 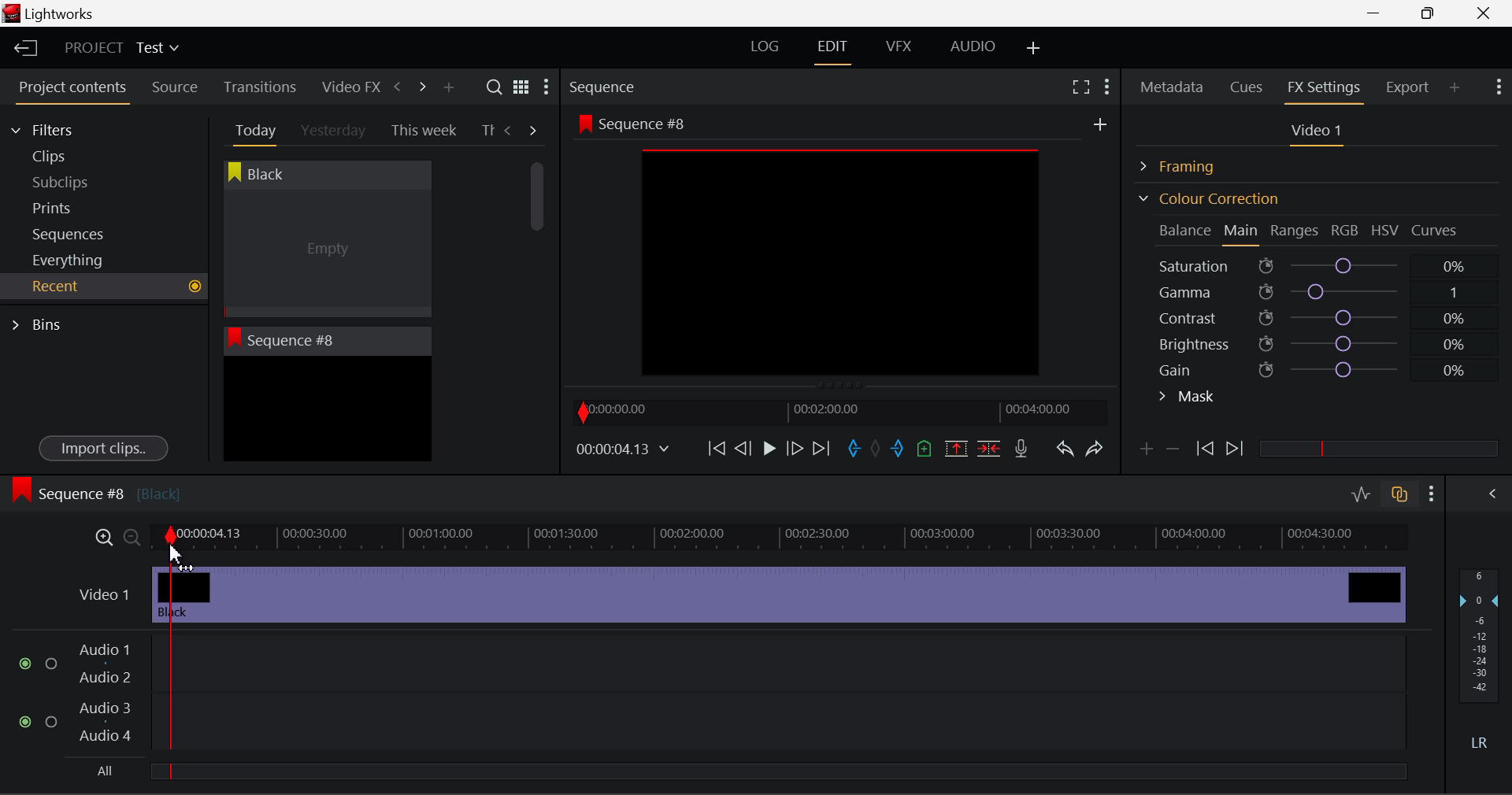 I want to click on Decibel Gain, so click(x=1478, y=663).